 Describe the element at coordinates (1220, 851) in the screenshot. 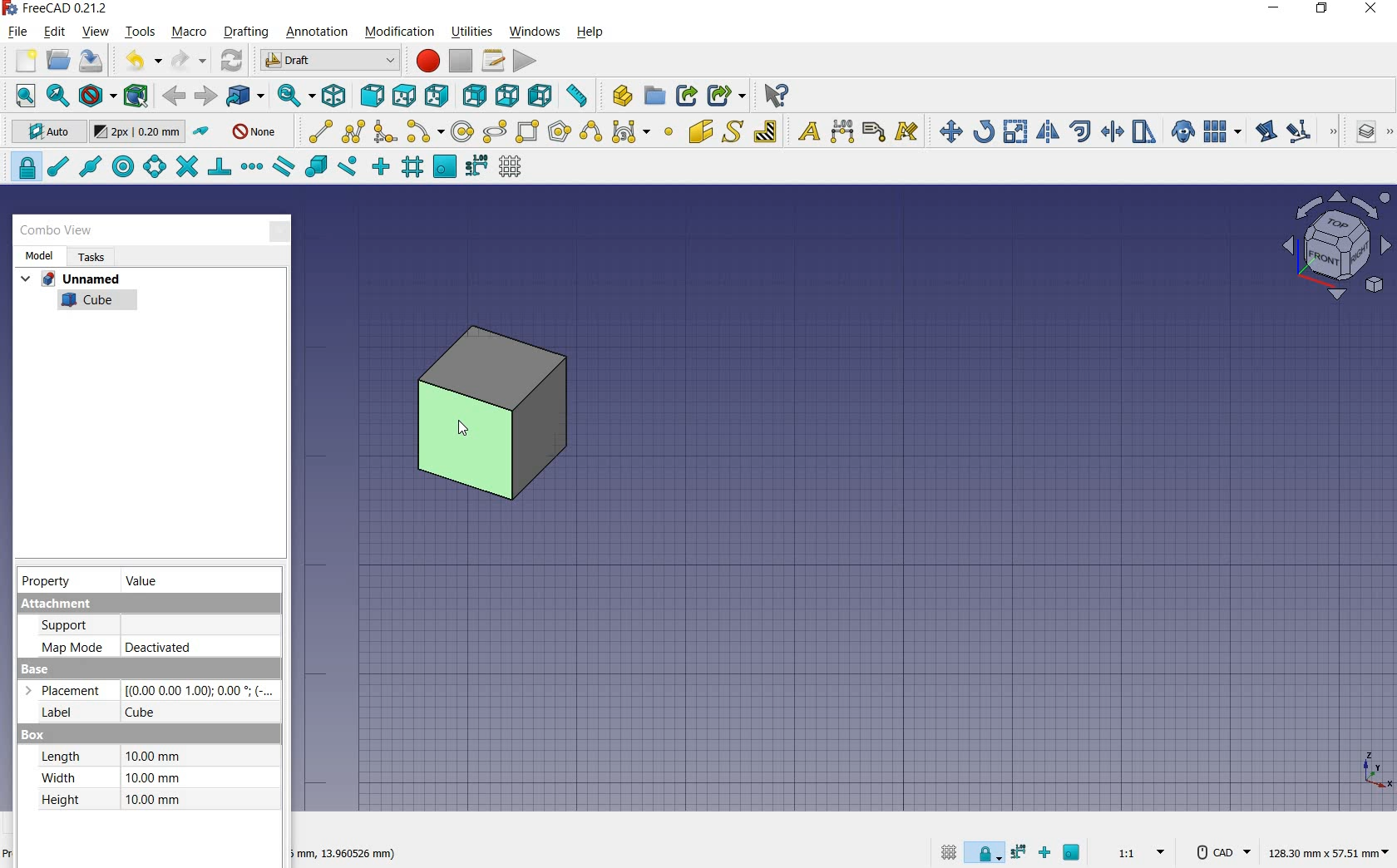

I see `CAD Navigation Style` at that location.